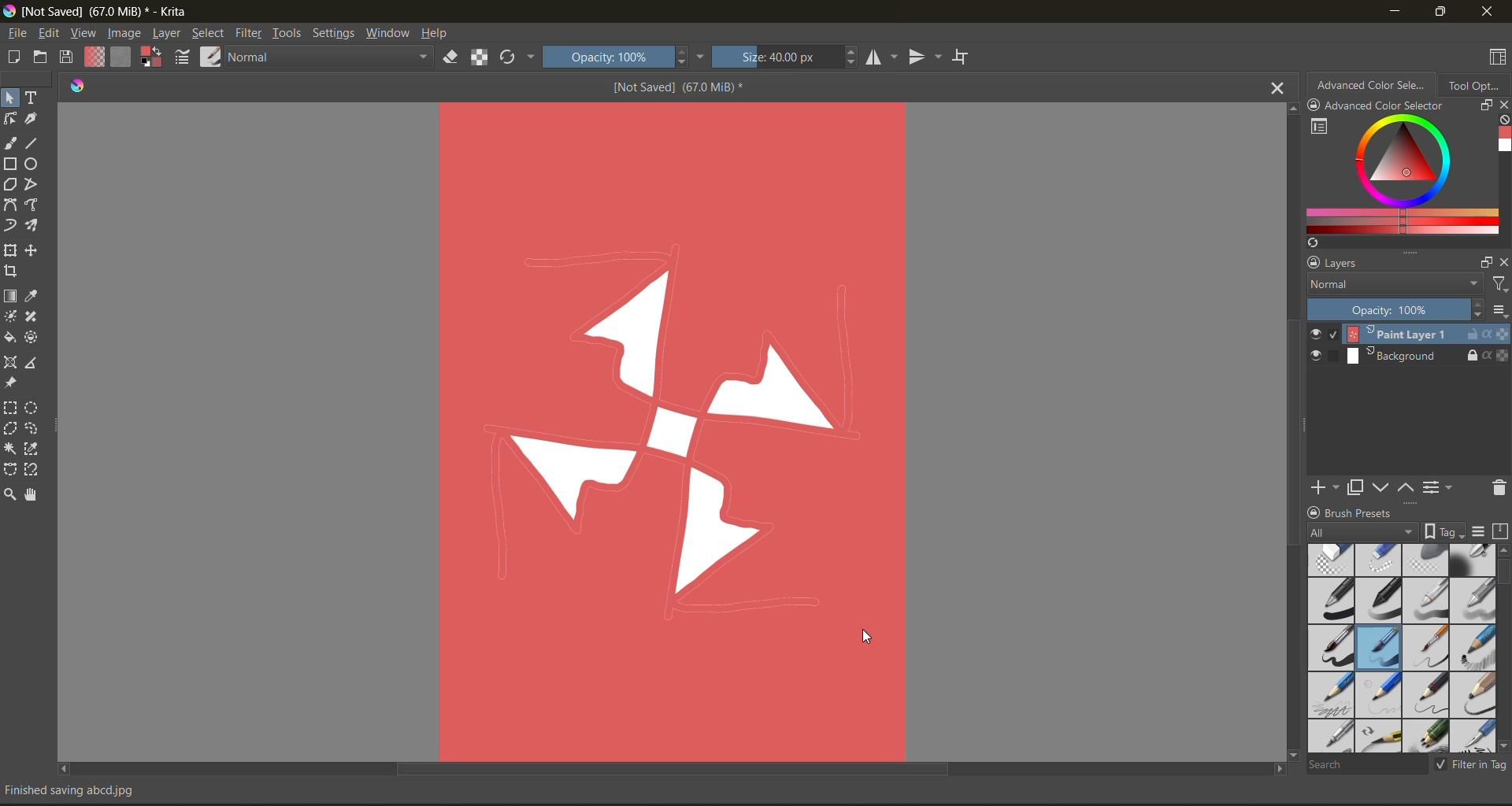 Image resolution: width=1512 pixels, height=806 pixels. Describe the element at coordinates (1503, 264) in the screenshot. I see `close` at that location.